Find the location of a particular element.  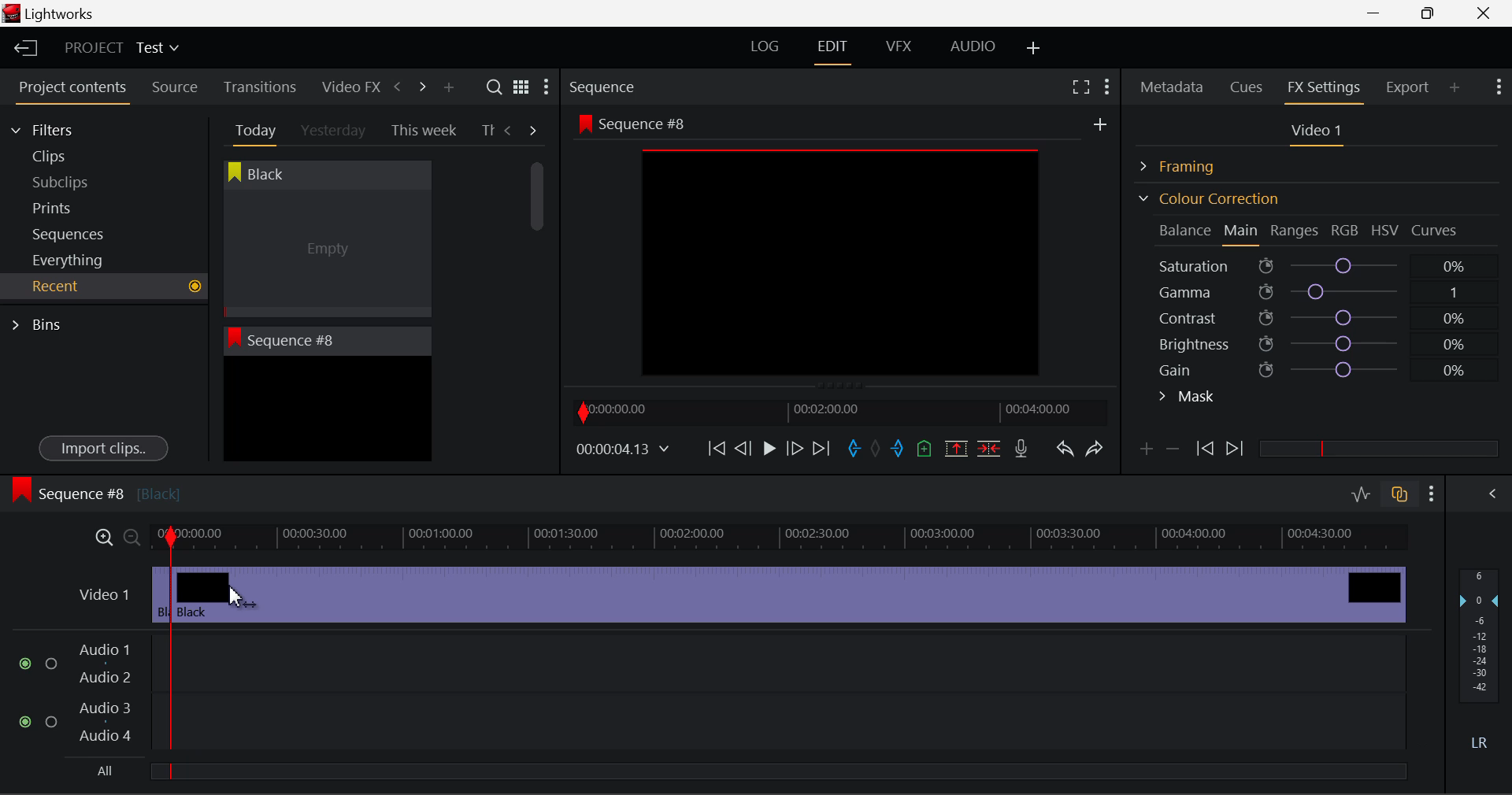

Redo is located at coordinates (1095, 448).